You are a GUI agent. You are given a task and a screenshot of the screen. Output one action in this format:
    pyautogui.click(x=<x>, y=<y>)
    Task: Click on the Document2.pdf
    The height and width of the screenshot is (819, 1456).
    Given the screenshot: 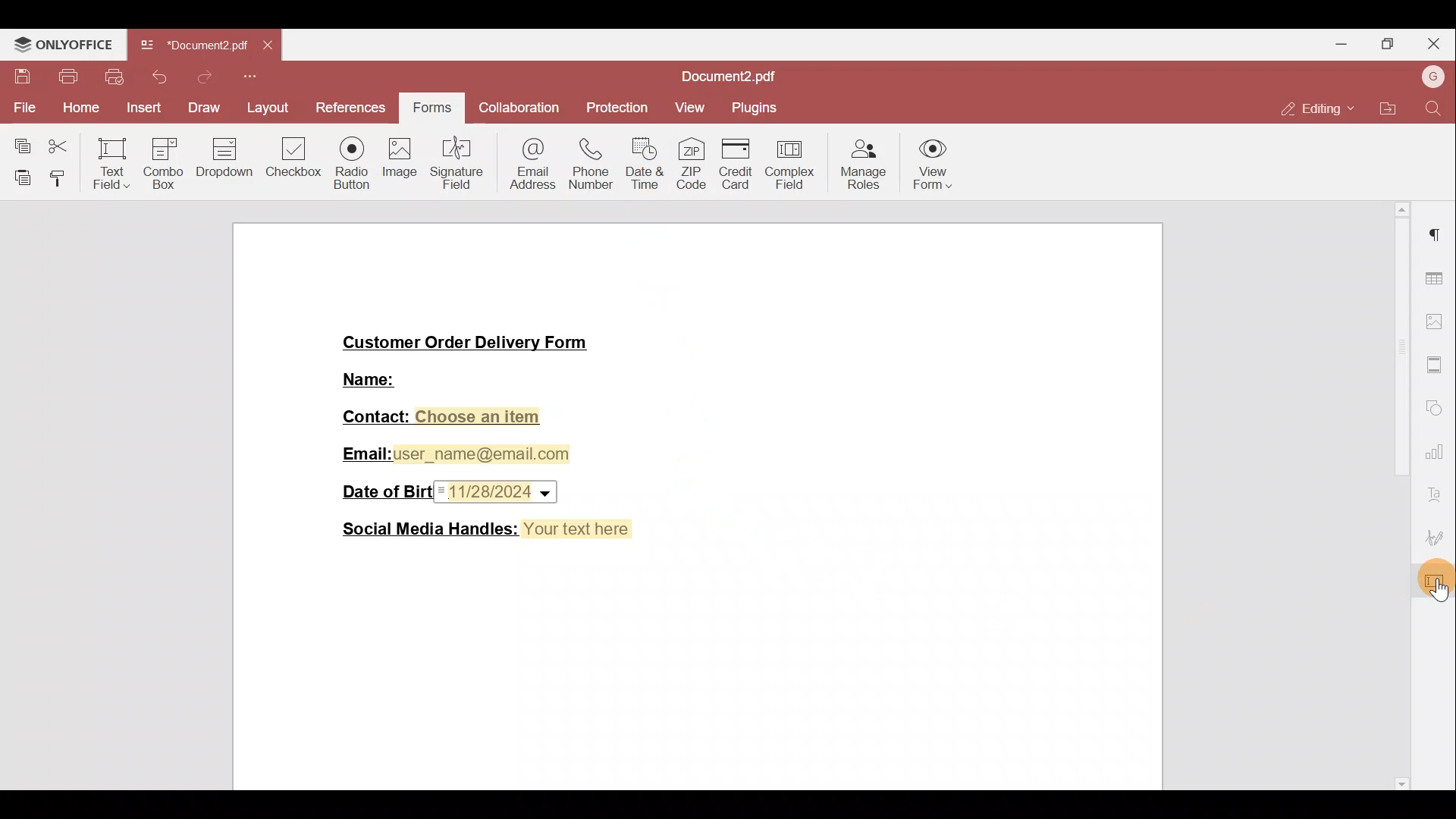 What is the action you would take?
    pyautogui.click(x=720, y=77)
    